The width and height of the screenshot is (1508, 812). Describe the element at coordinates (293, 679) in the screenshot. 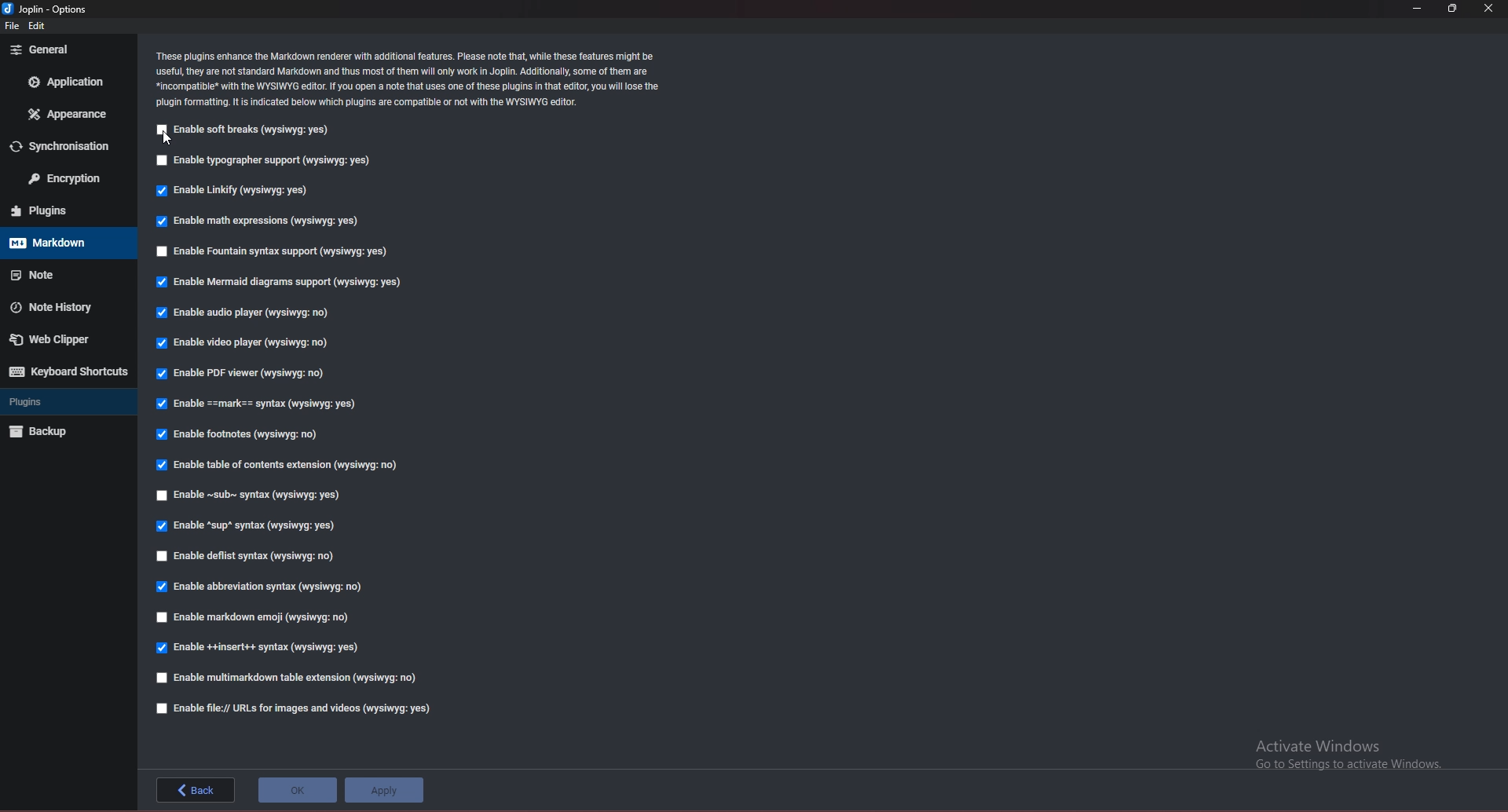

I see `enable multimarkdown table extension` at that location.